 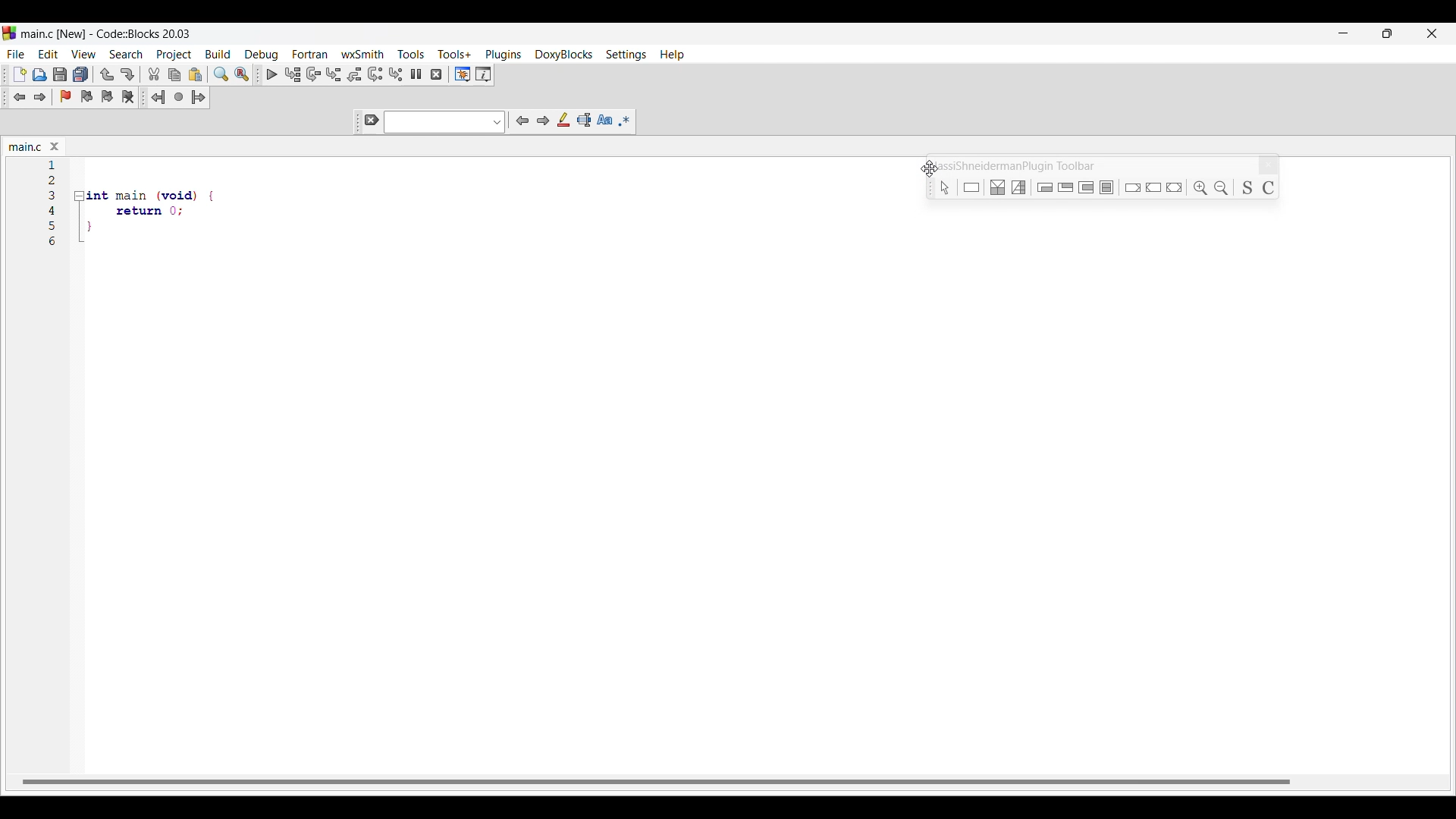 I want to click on Replace, so click(x=242, y=74).